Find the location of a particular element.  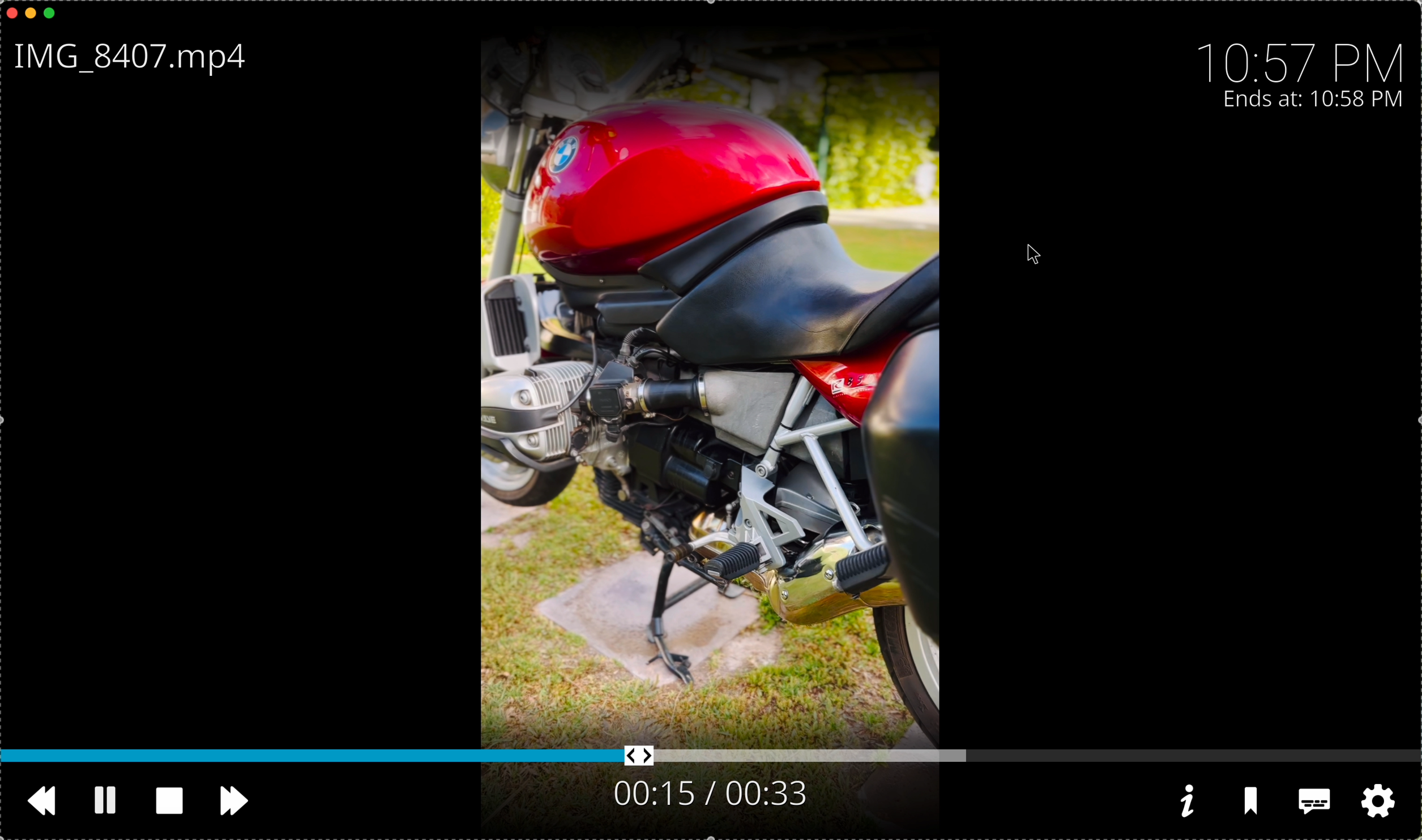

close  is located at coordinates (9, 12).